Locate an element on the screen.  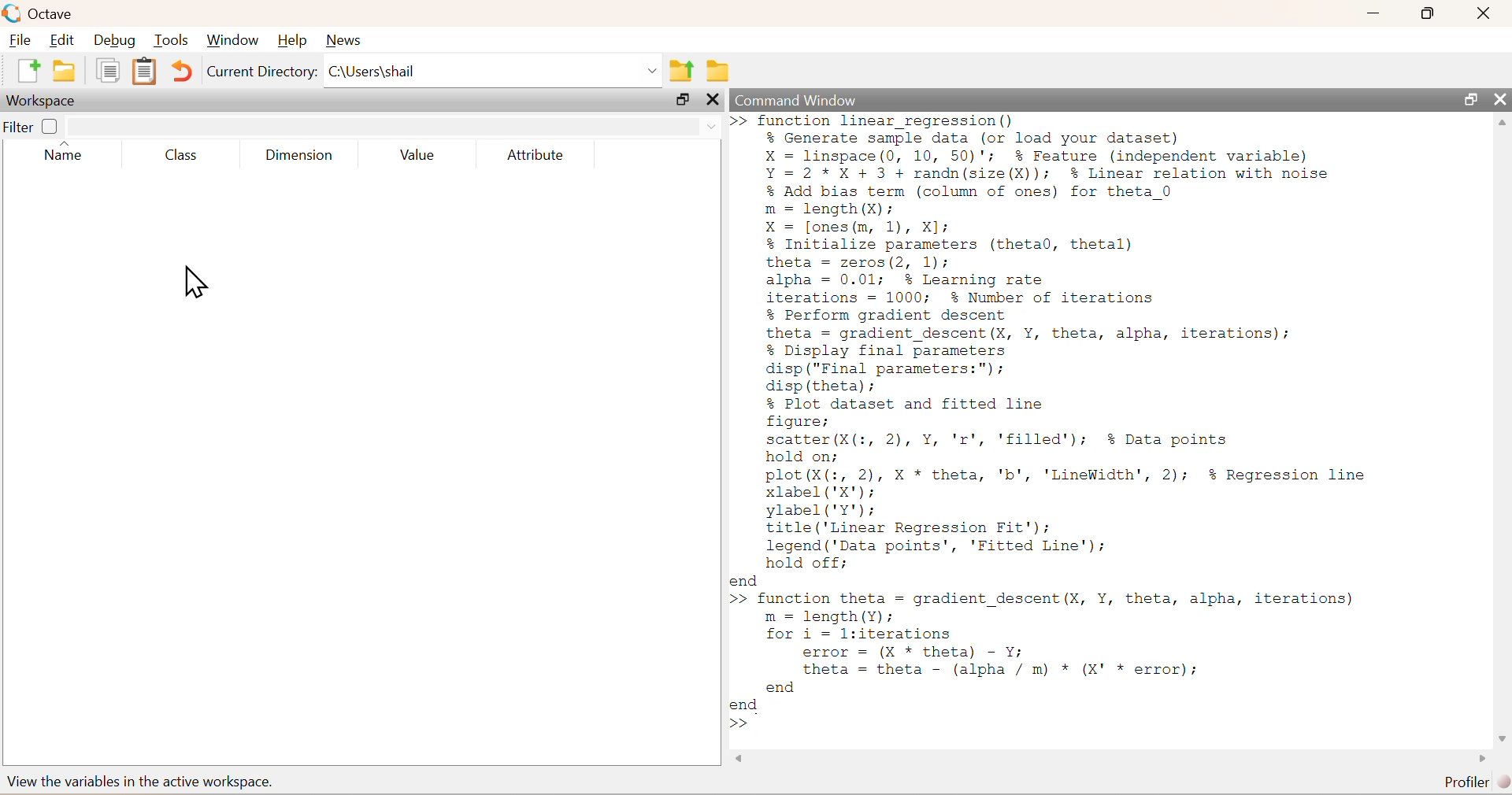
resize is located at coordinates (684, 99).